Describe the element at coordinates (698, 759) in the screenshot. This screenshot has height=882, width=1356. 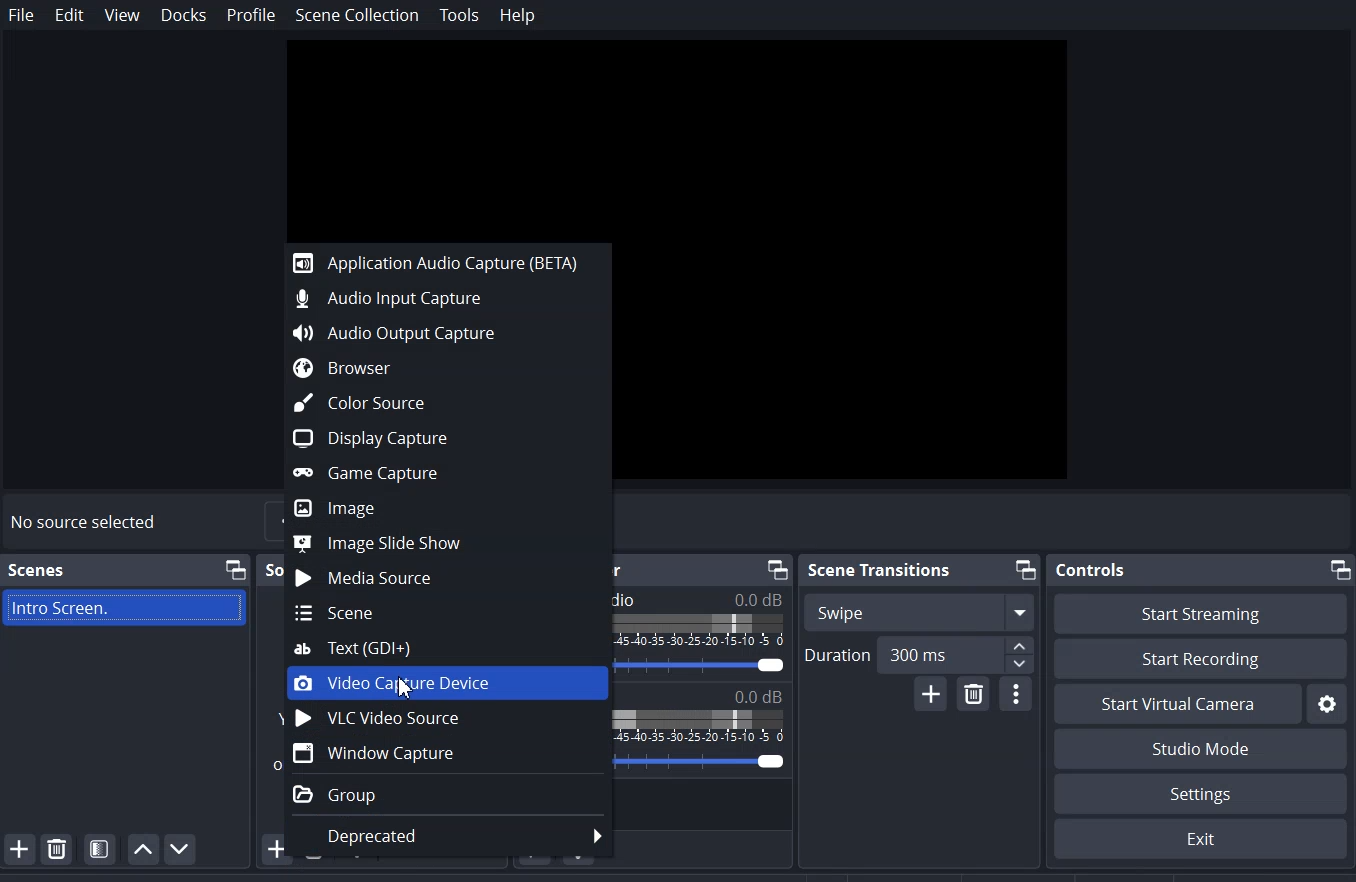
I see `Volume Adjuster` at that location.